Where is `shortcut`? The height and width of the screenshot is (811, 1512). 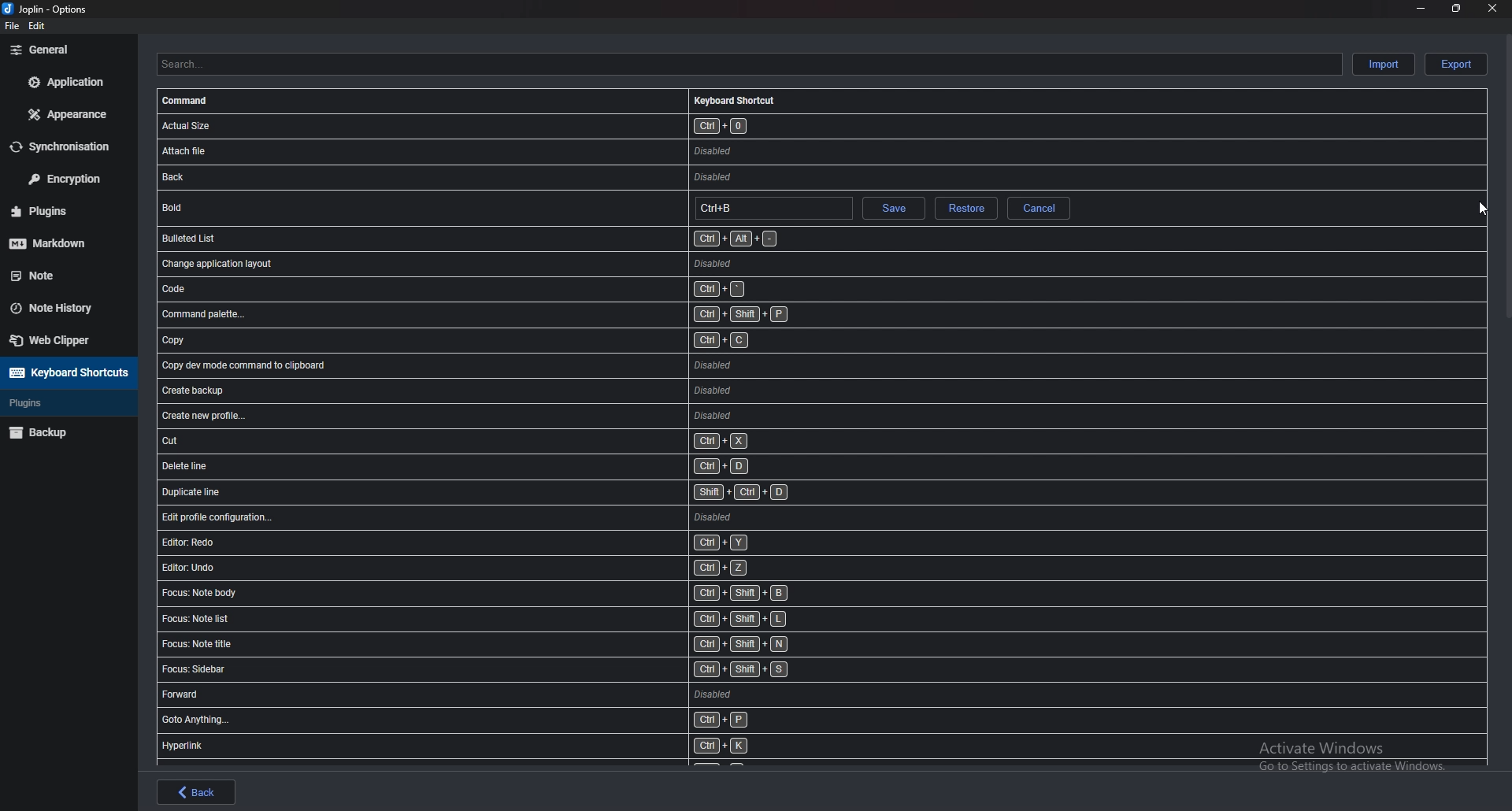 shortcut is located at coordinates (531, 493).